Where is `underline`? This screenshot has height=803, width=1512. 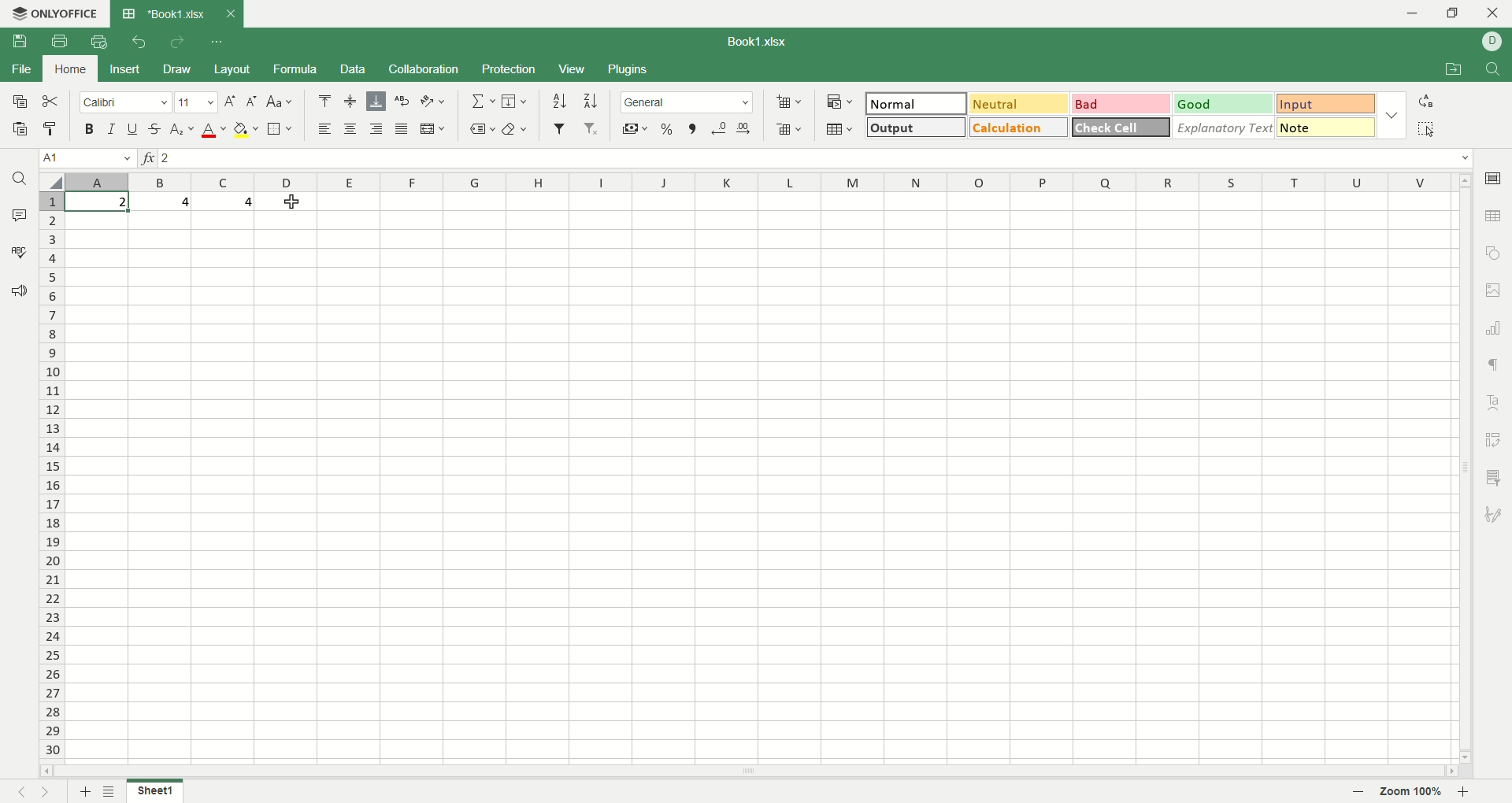 underline is located at coordinates (134, 129).